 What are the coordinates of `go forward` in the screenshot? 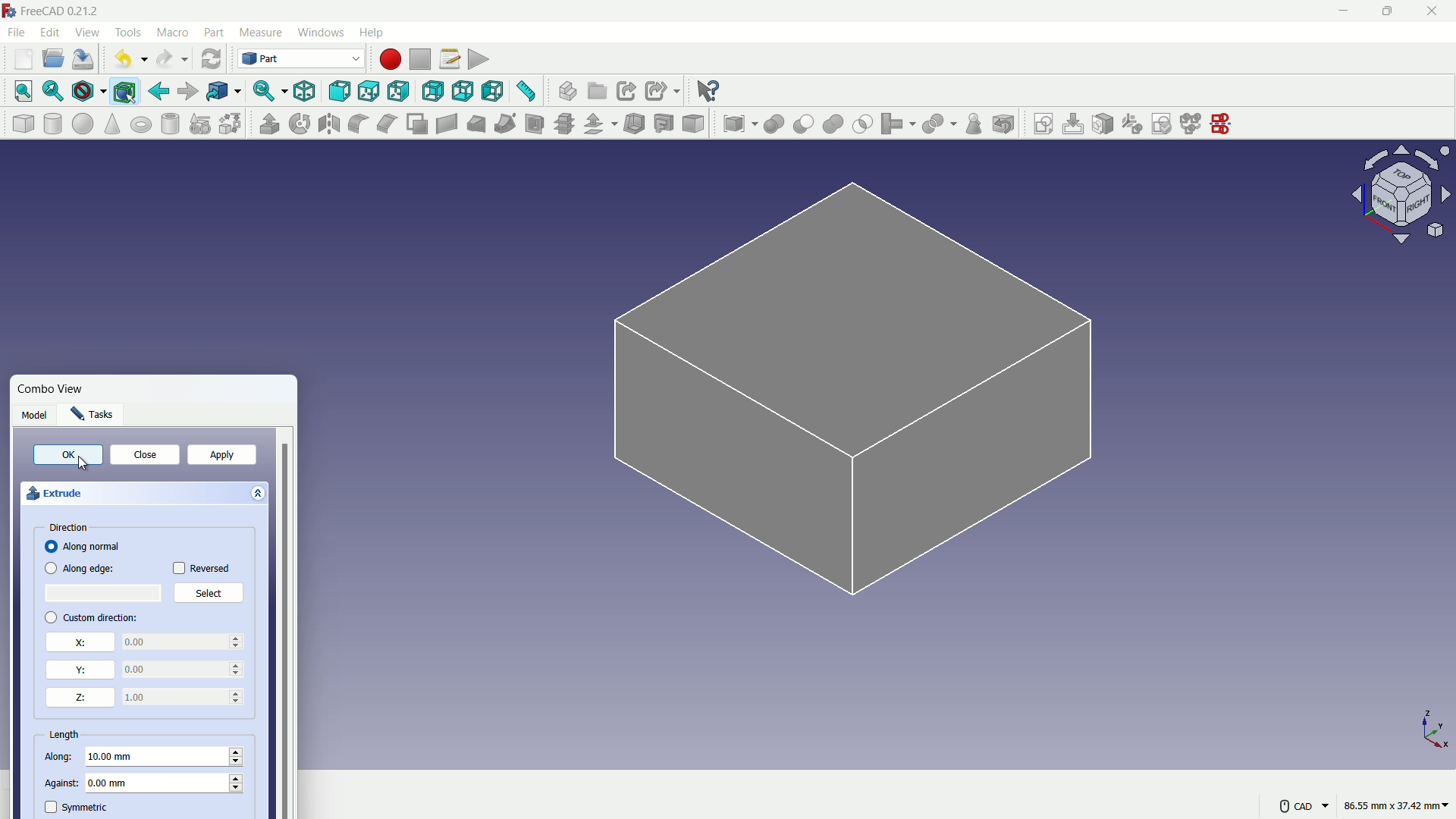 It's located at (188, 91).